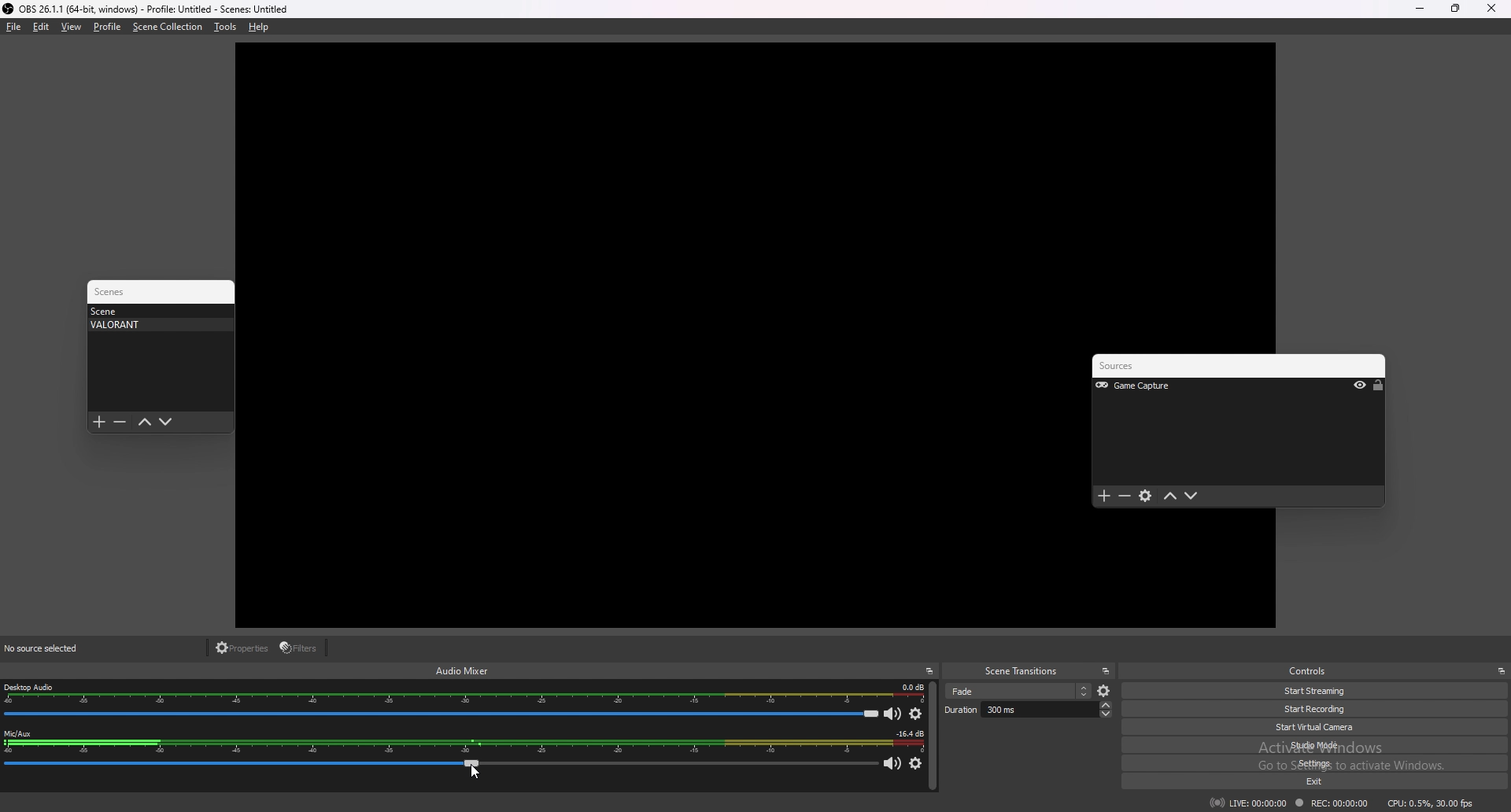 This screenshot has height=812, width=1511. Describe the element at coordinates (144, 423) in the screenshot. I see `move up` at that location.